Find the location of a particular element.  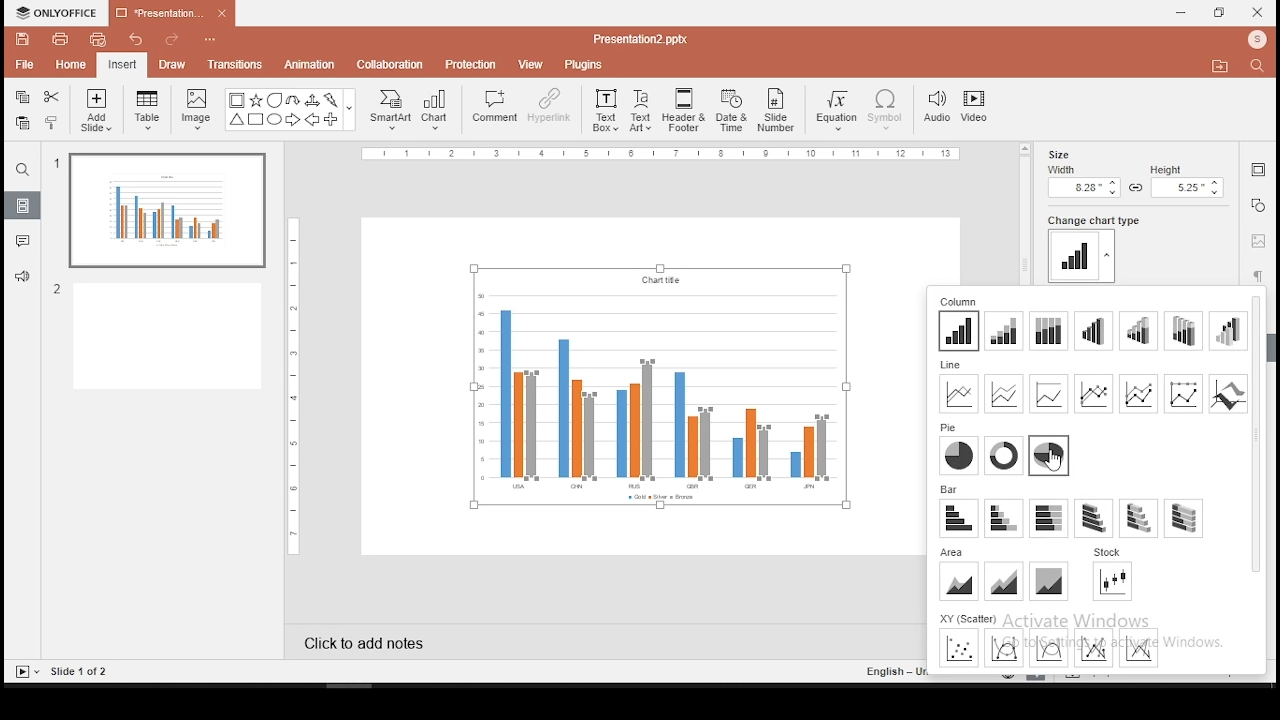

slide 1 is located at coordinates (164, 212).